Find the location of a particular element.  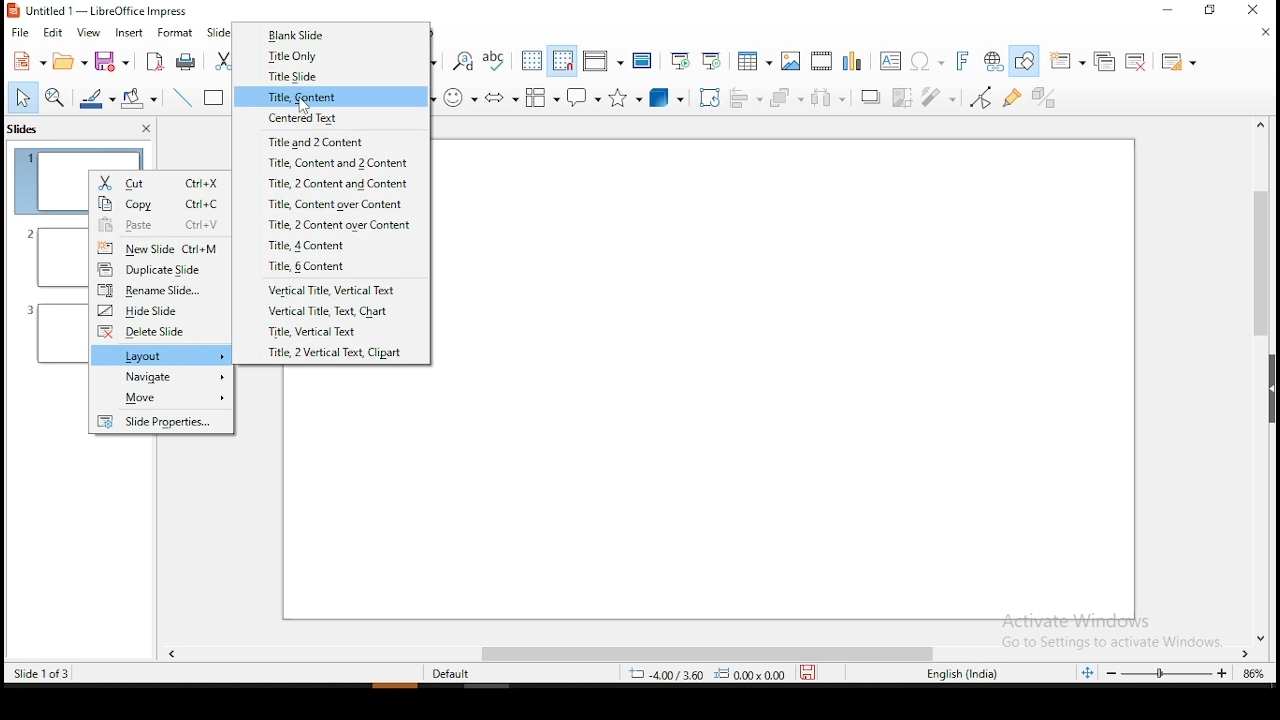

title, content and 2 content is located at coordinates (338, 163).